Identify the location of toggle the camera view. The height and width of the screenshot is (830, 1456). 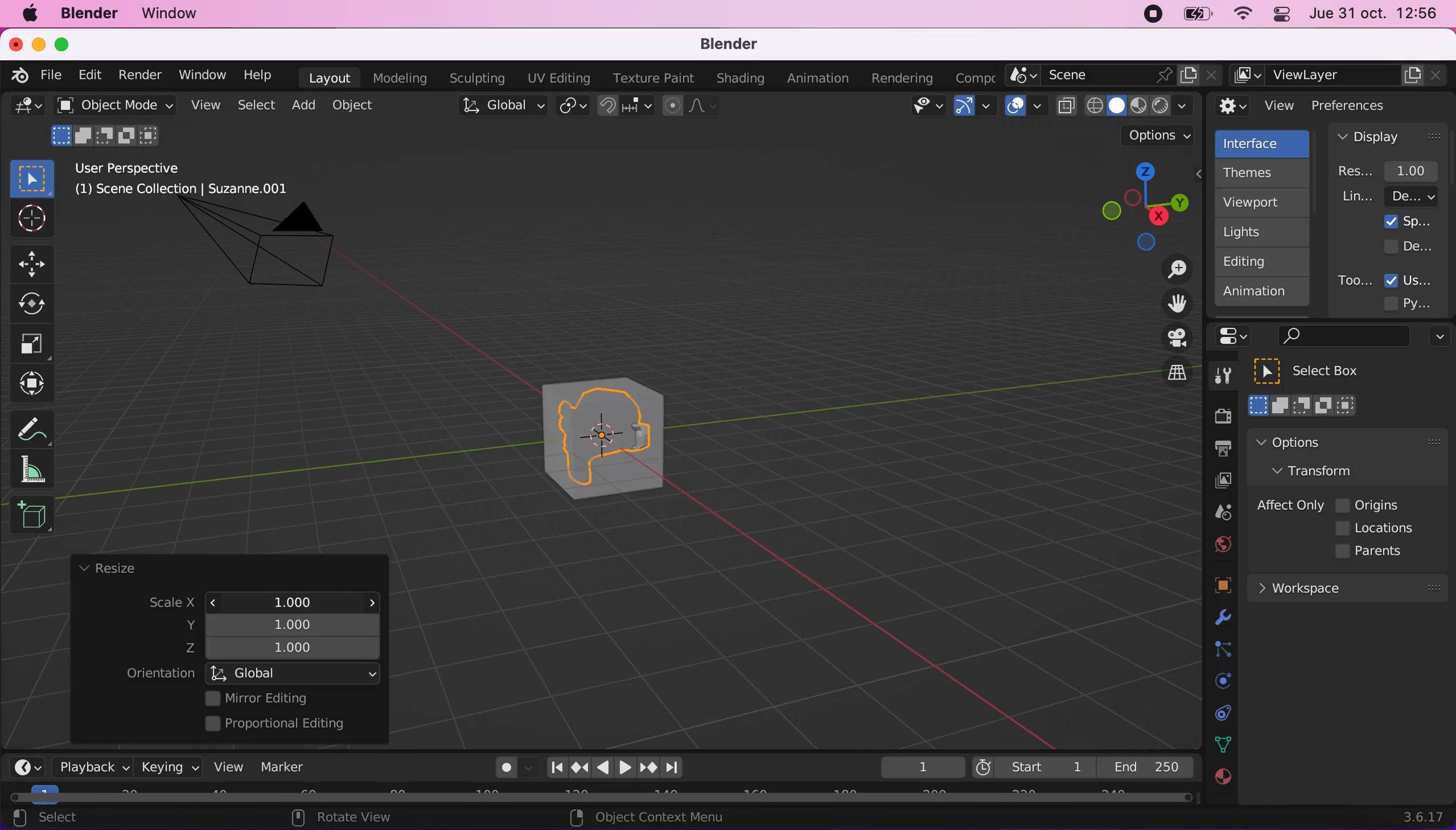
(1169, 339).